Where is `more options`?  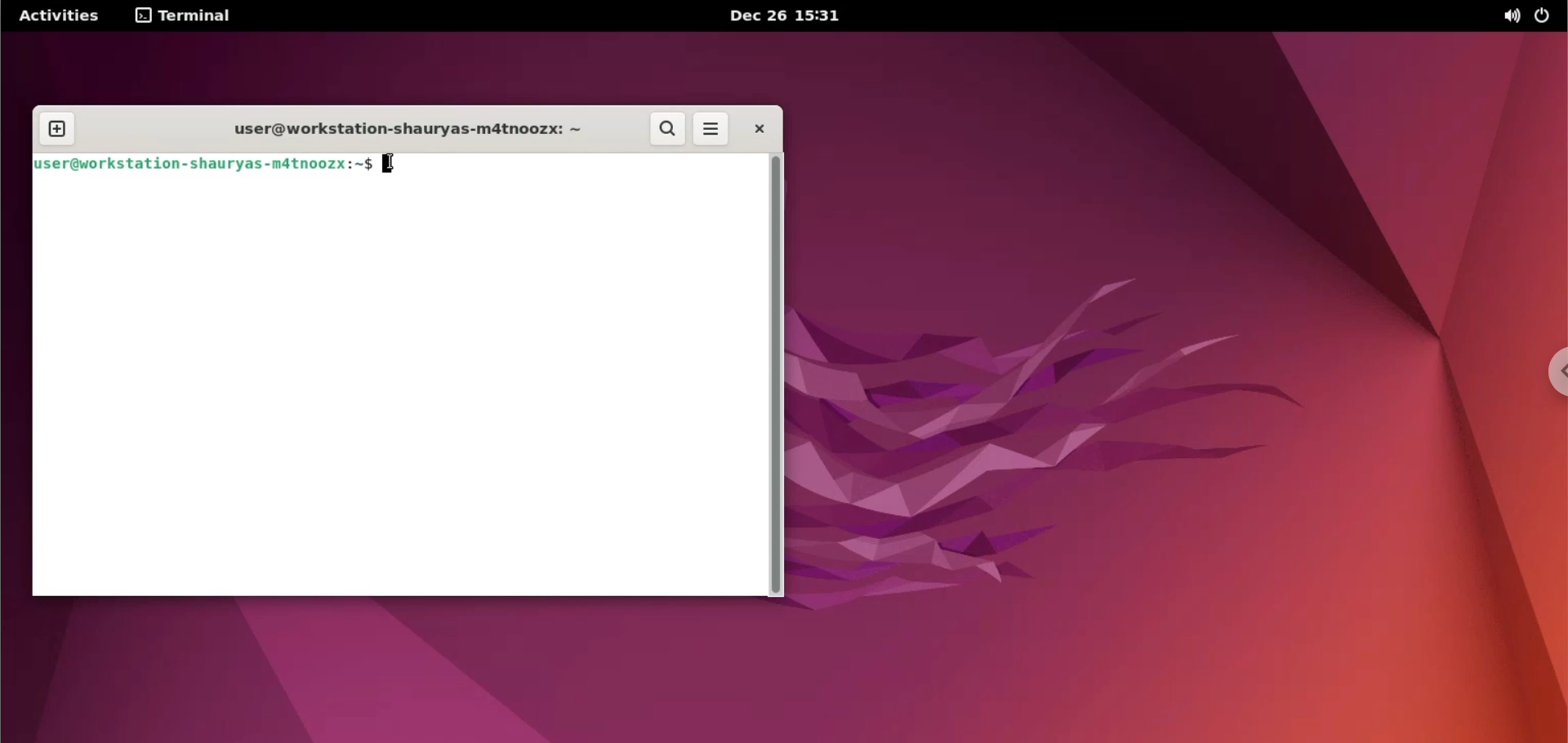 more options is located at coordinates (712, 130).